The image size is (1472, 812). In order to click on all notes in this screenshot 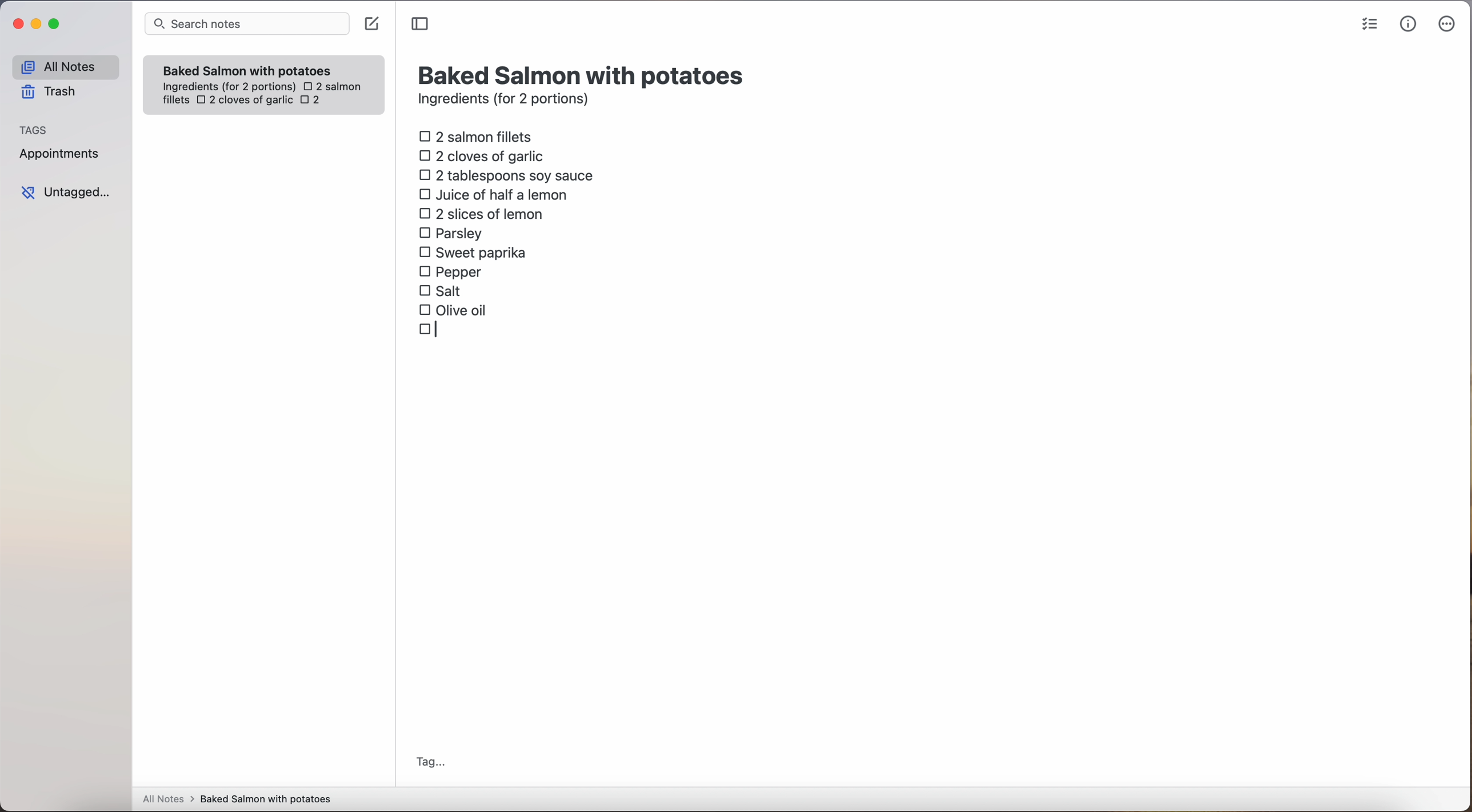, I will do `click(65, 66)`.